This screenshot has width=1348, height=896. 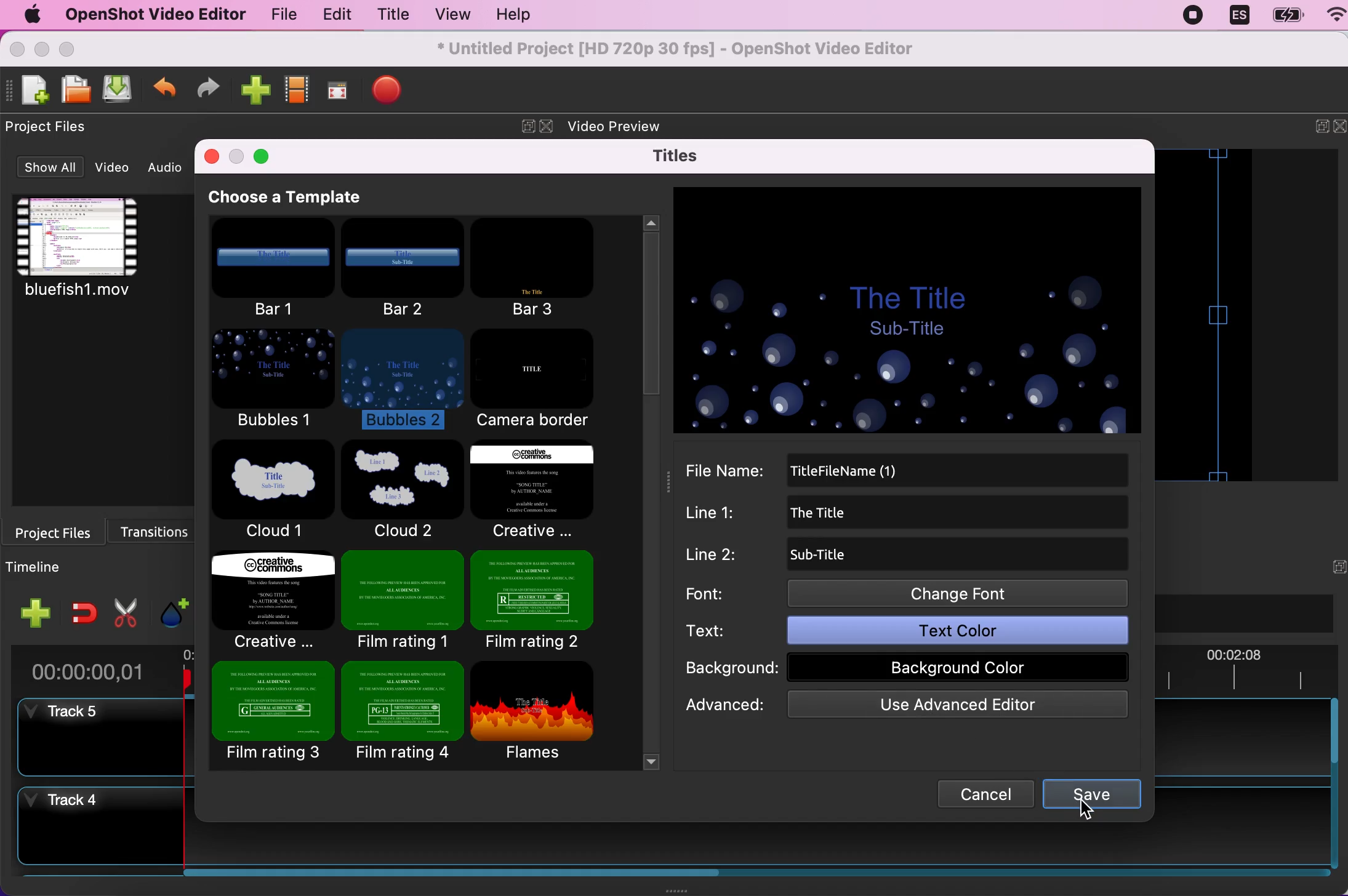 What do you see at coordinates (548, 127) in the screenshot?
I see `close` at bounding box center [548, 127].